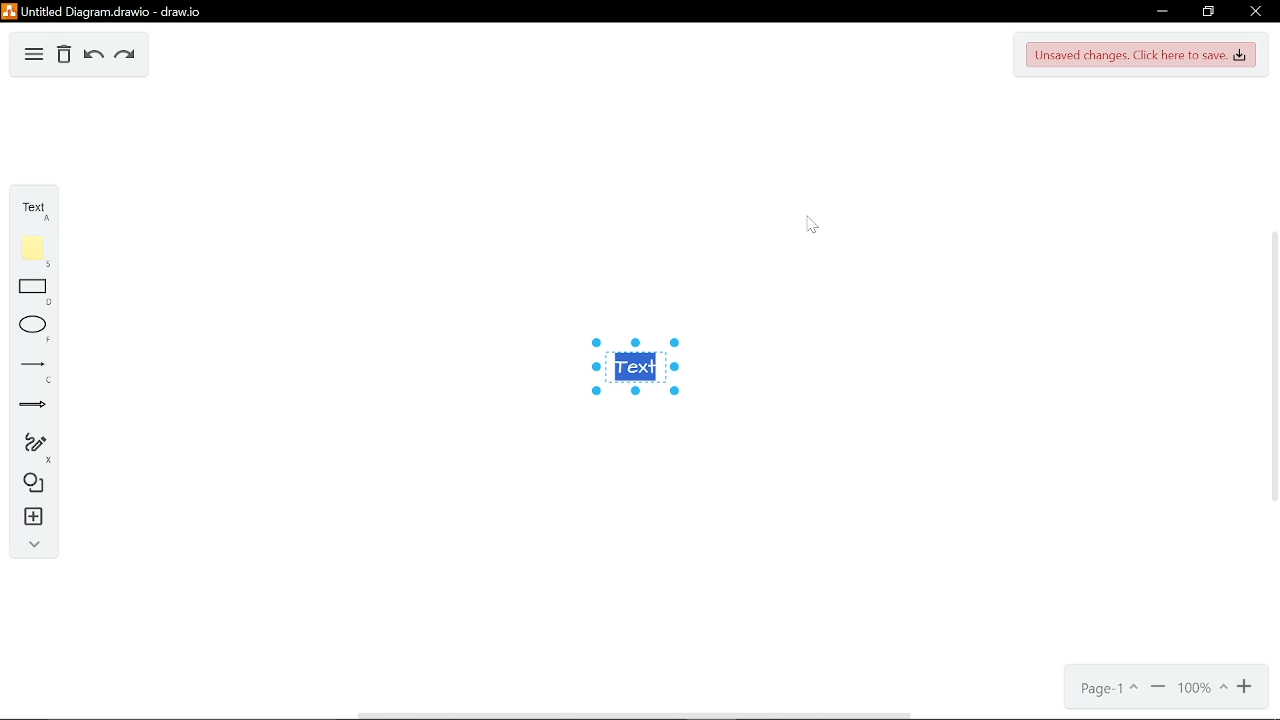  Describe the element at coordinates (28, 251) in the screenshot. I see `Note` at that location.